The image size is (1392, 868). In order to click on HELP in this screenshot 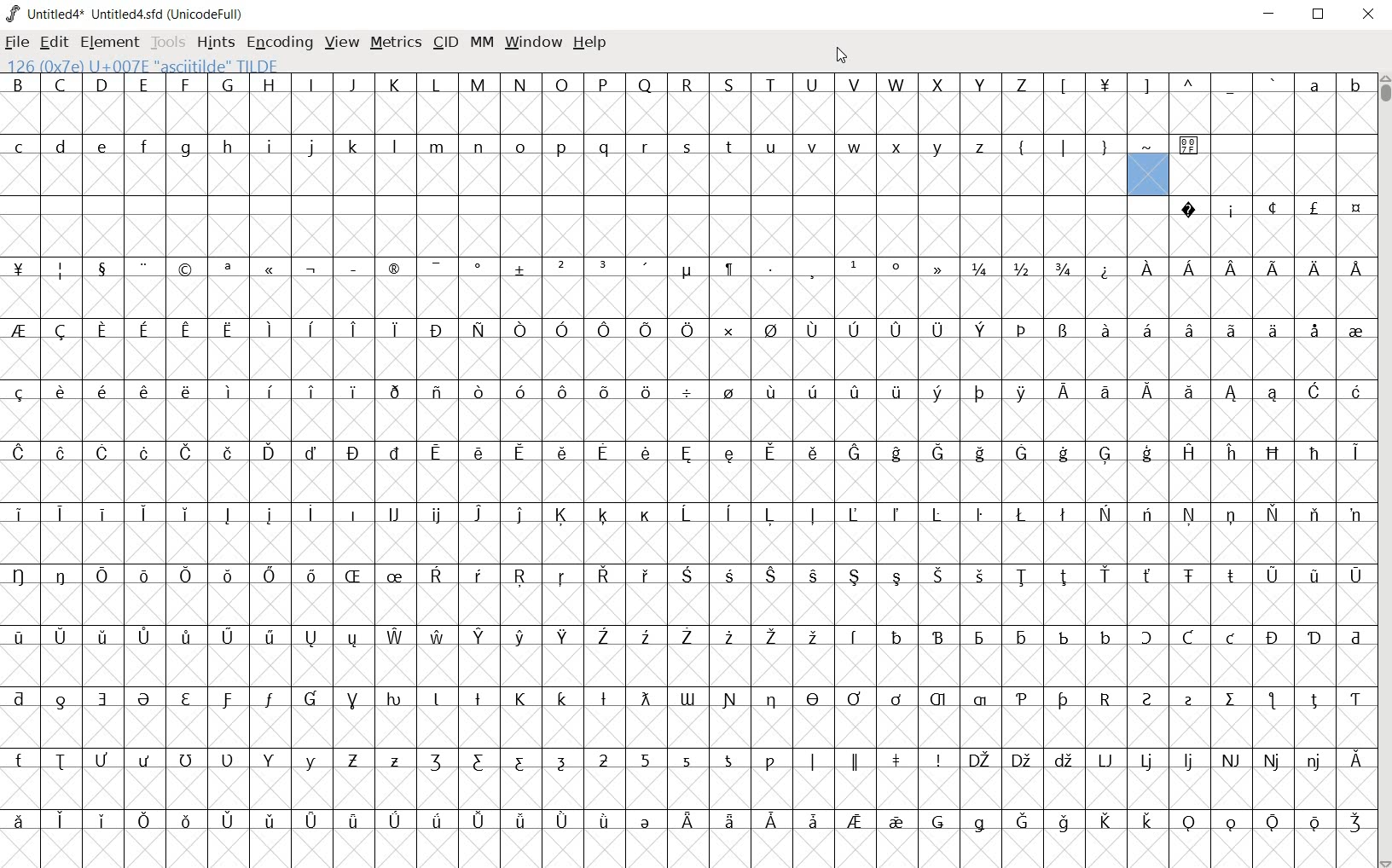, I will do `click(589, 43)`.